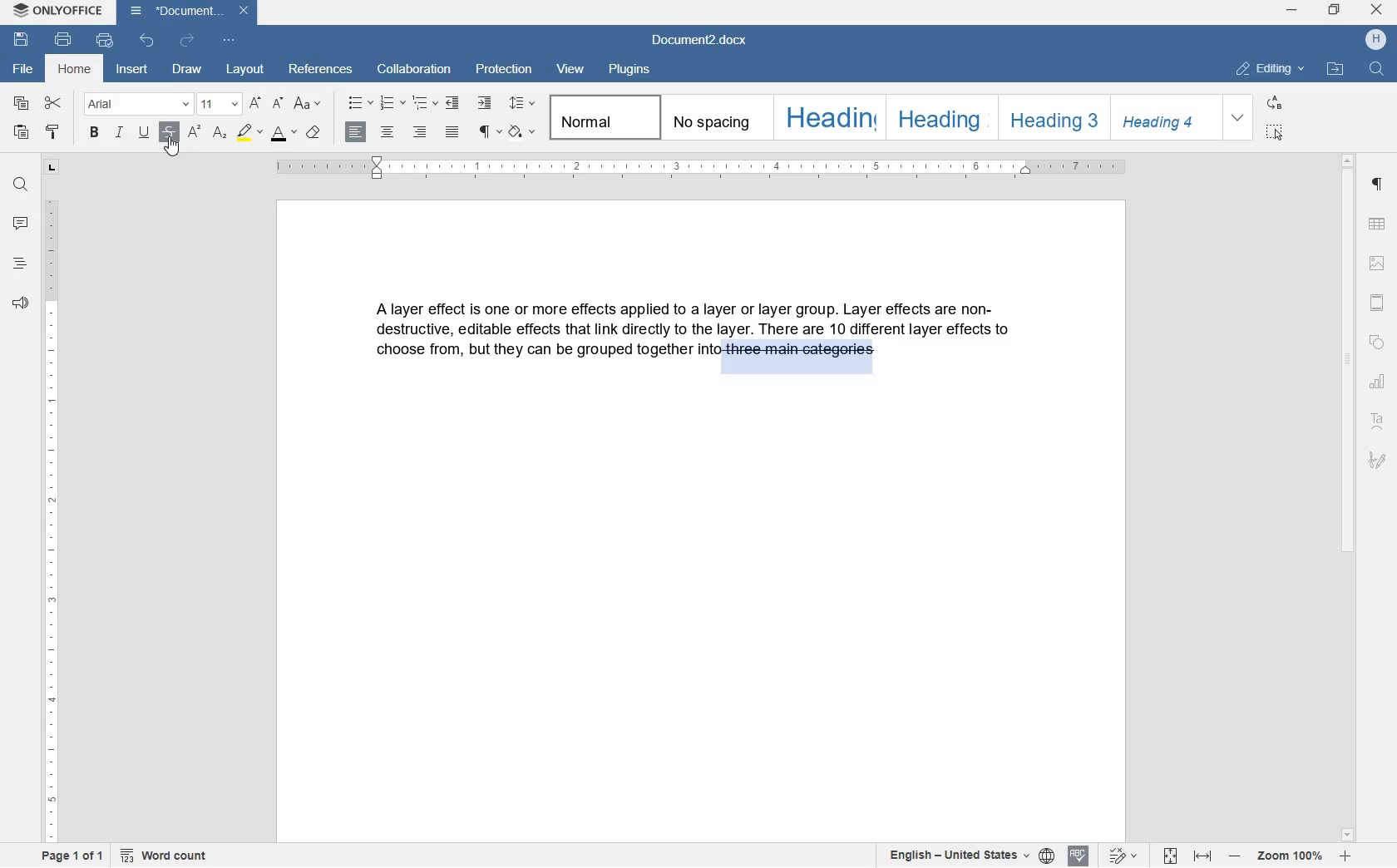  Describe the element at coordinates (1379, 303) in the screenshot. I see `header and footer` at that location.